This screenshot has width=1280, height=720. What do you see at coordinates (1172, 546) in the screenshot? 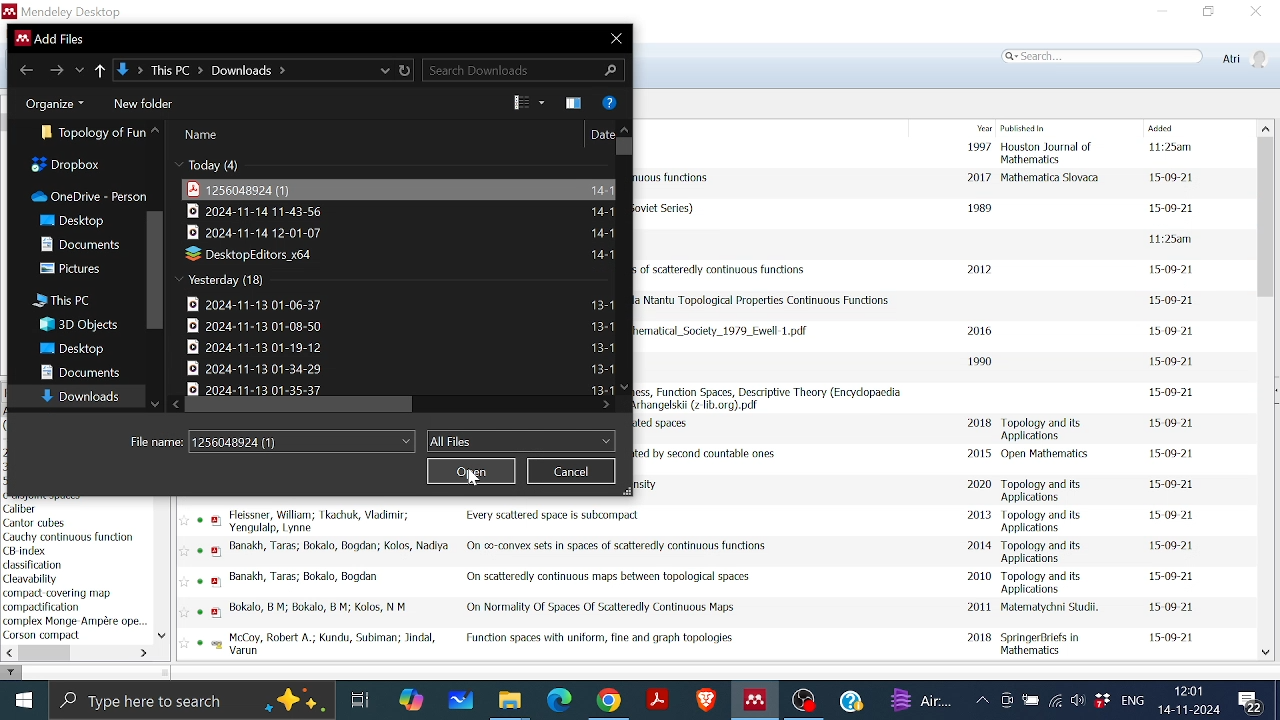
I see `date` at bounding box center [1172, 546].